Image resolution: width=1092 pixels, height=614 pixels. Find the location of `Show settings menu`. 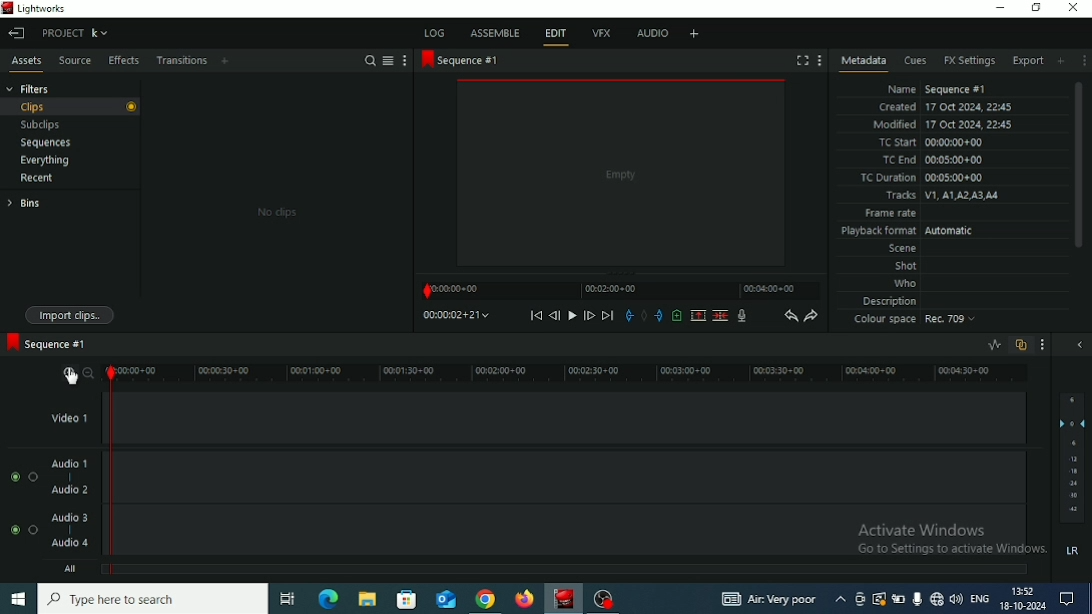

Show settings menu is located at coordinates (1042, 345).